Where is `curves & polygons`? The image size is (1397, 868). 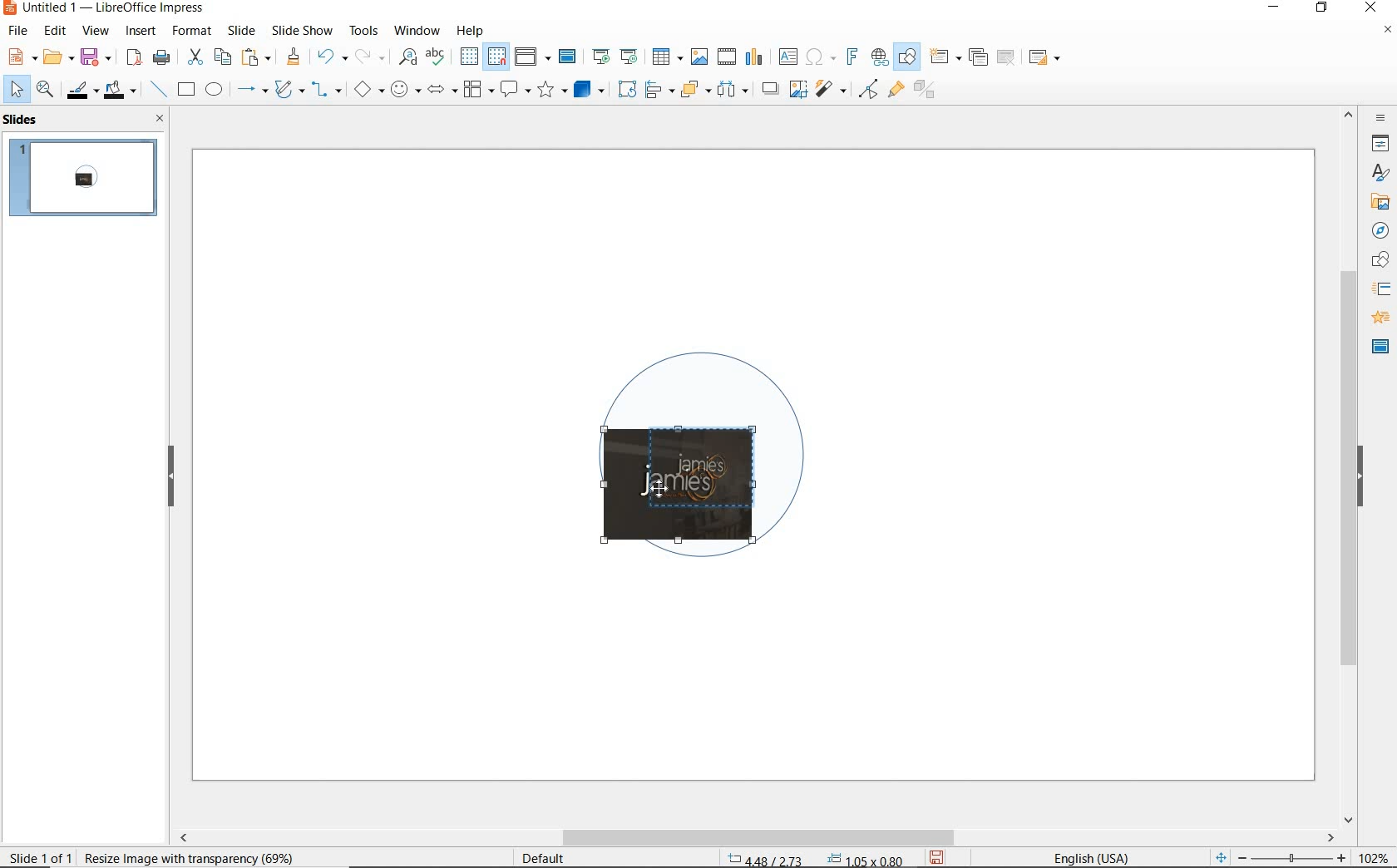 curves & polygons is located at coordinates (289, 90).